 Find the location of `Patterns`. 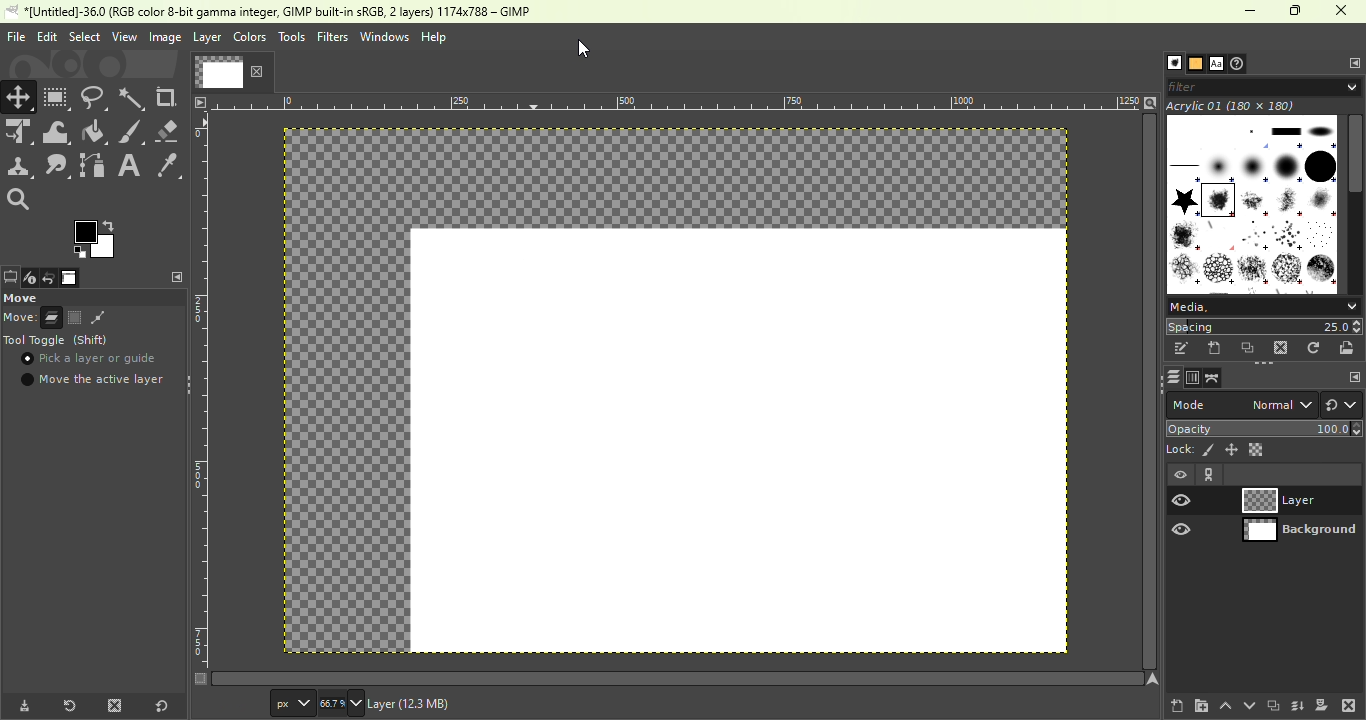

Patterns is located at coordinates (1194, 62).